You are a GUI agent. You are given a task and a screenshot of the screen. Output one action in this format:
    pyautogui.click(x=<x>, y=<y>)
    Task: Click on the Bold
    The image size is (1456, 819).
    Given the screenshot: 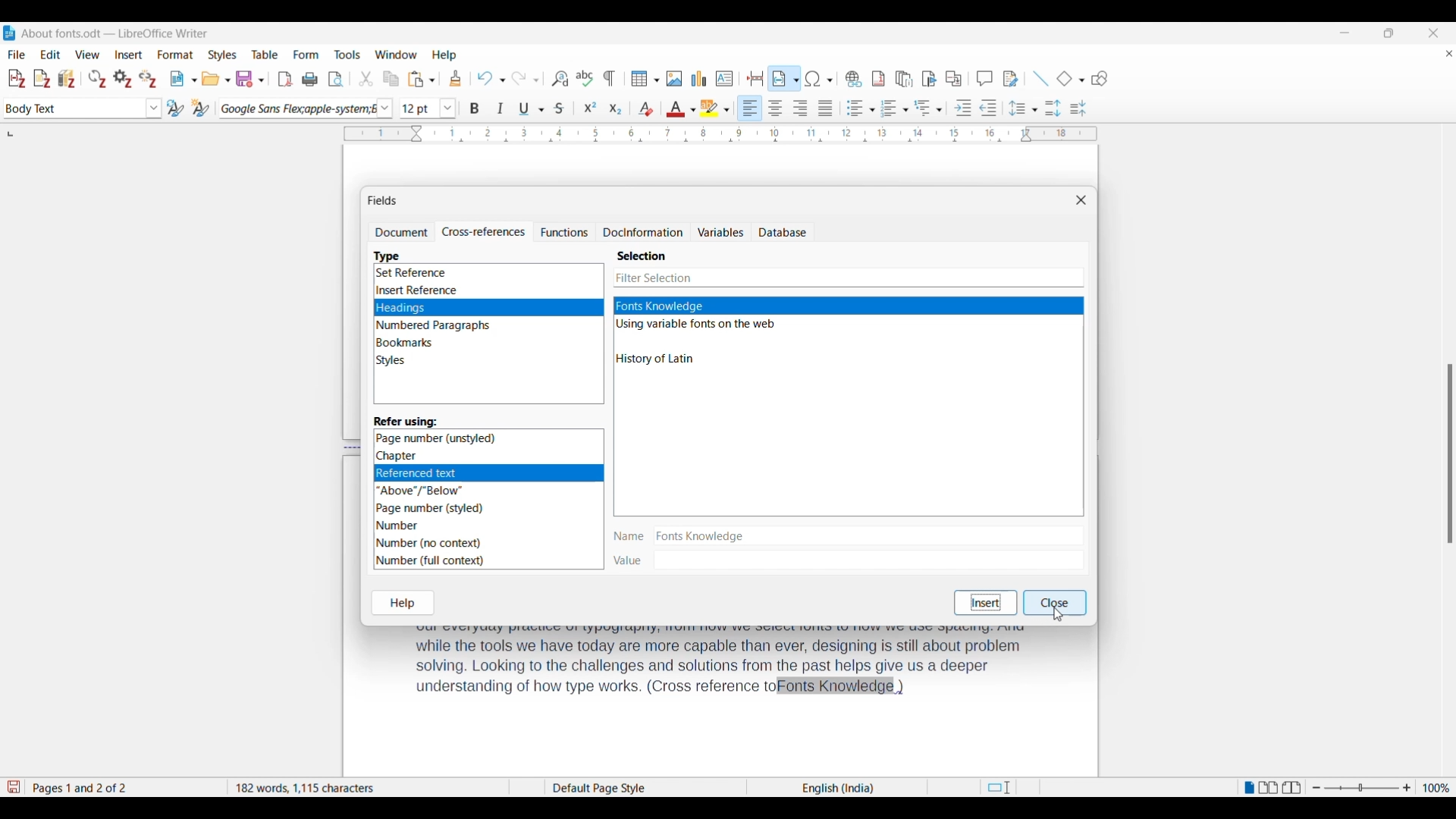 What is the action you would take?
    pyautogui.click(x=475, y=109)
    